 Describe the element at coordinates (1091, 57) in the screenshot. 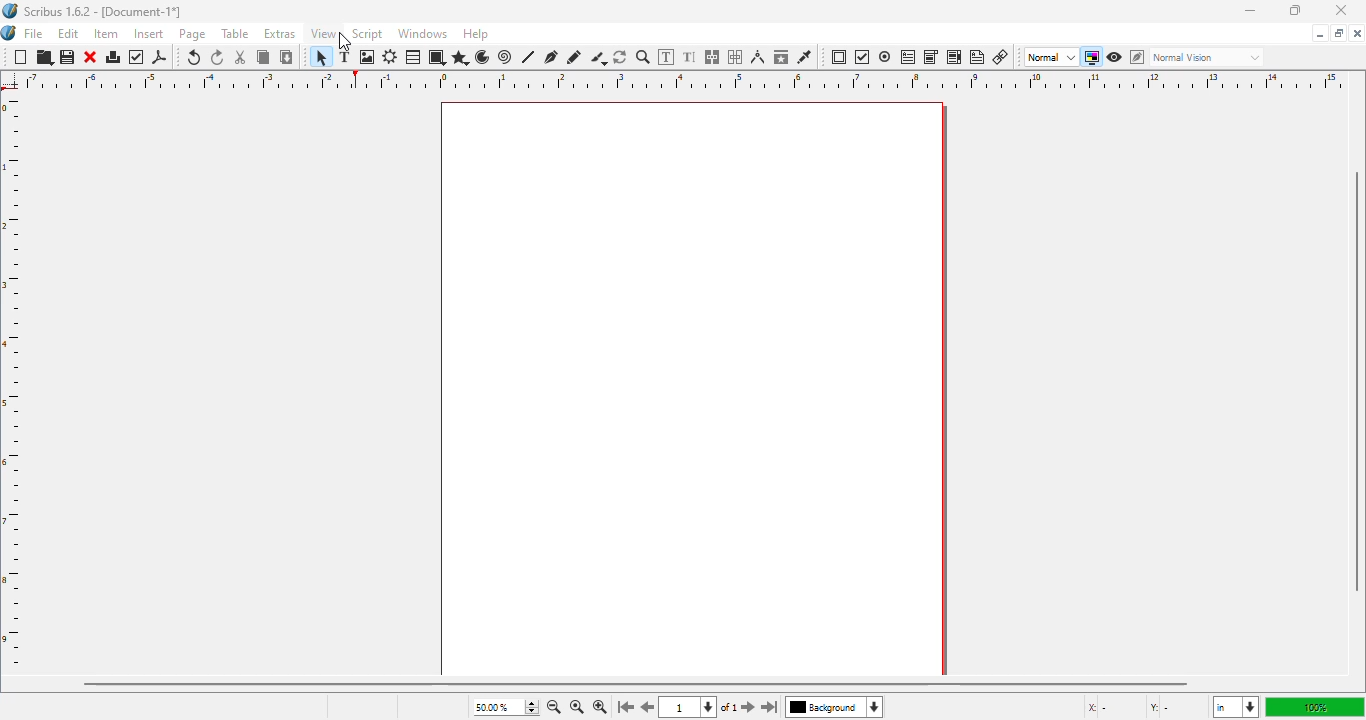

I see `toggle color management system` at that location.